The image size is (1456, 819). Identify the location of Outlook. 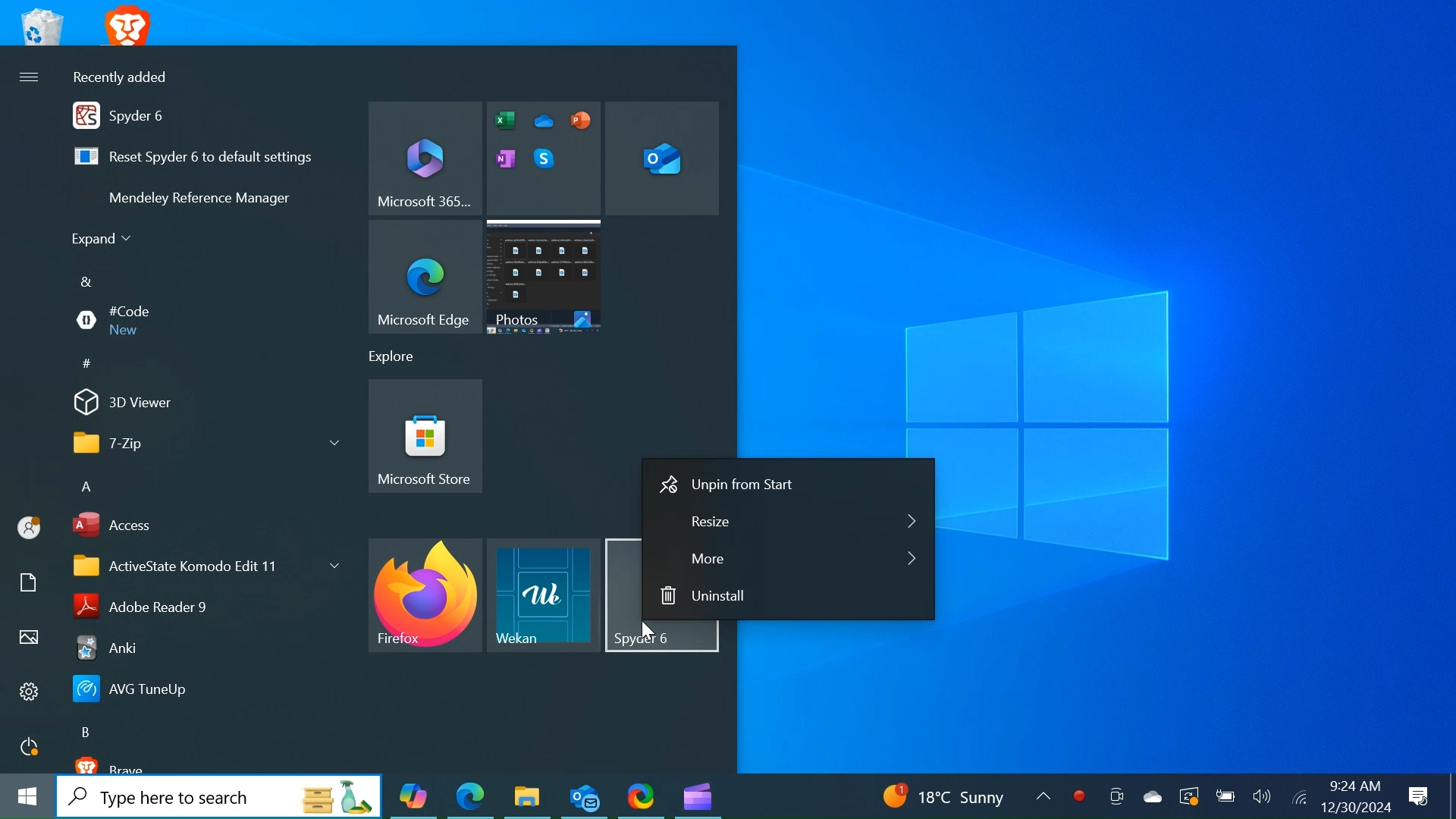
(585, 797).